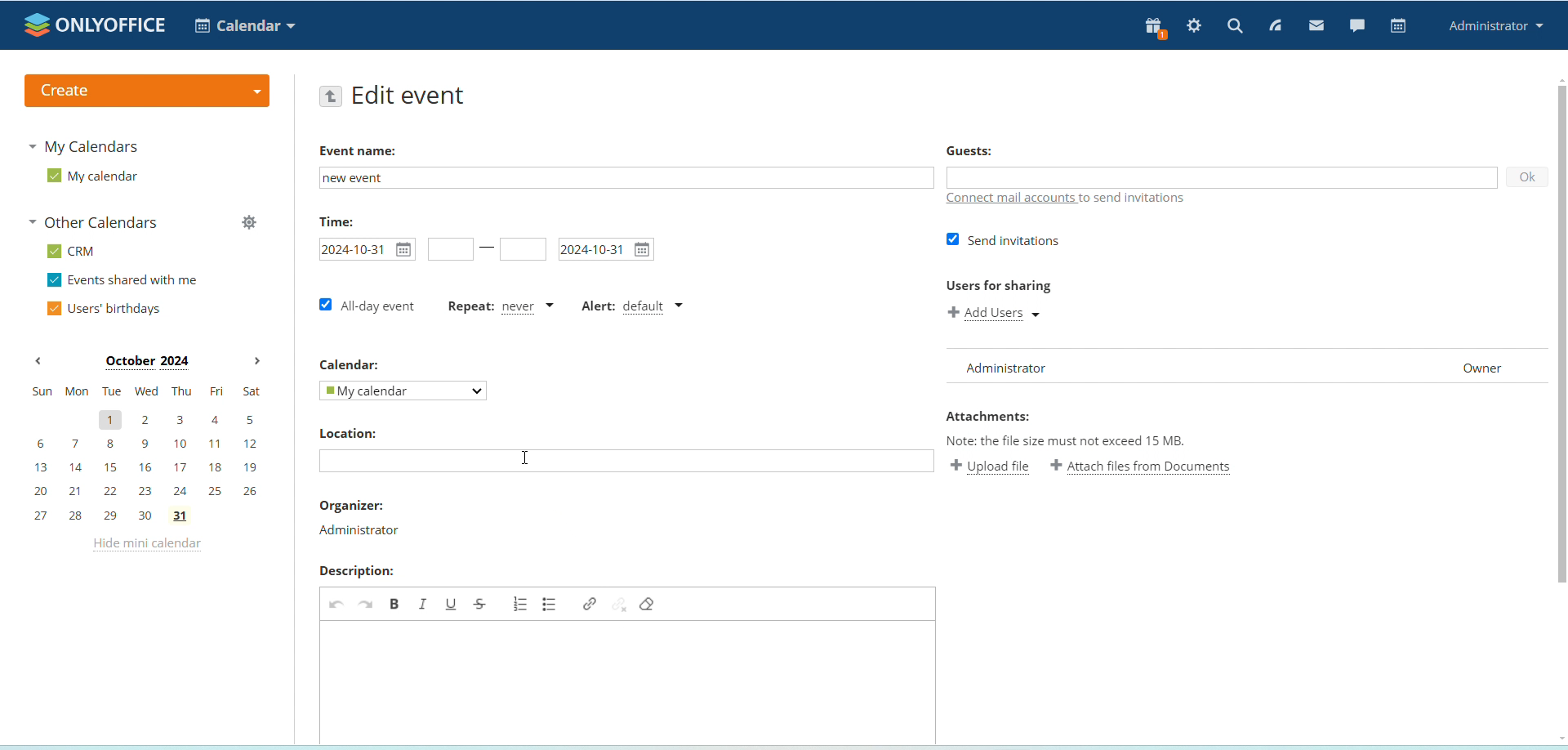 Image resolution: width=1568 pixels, height=750 pixels. Describe the element at coordinates (147, 363) in the screenshot. I see `month on display` at that location.